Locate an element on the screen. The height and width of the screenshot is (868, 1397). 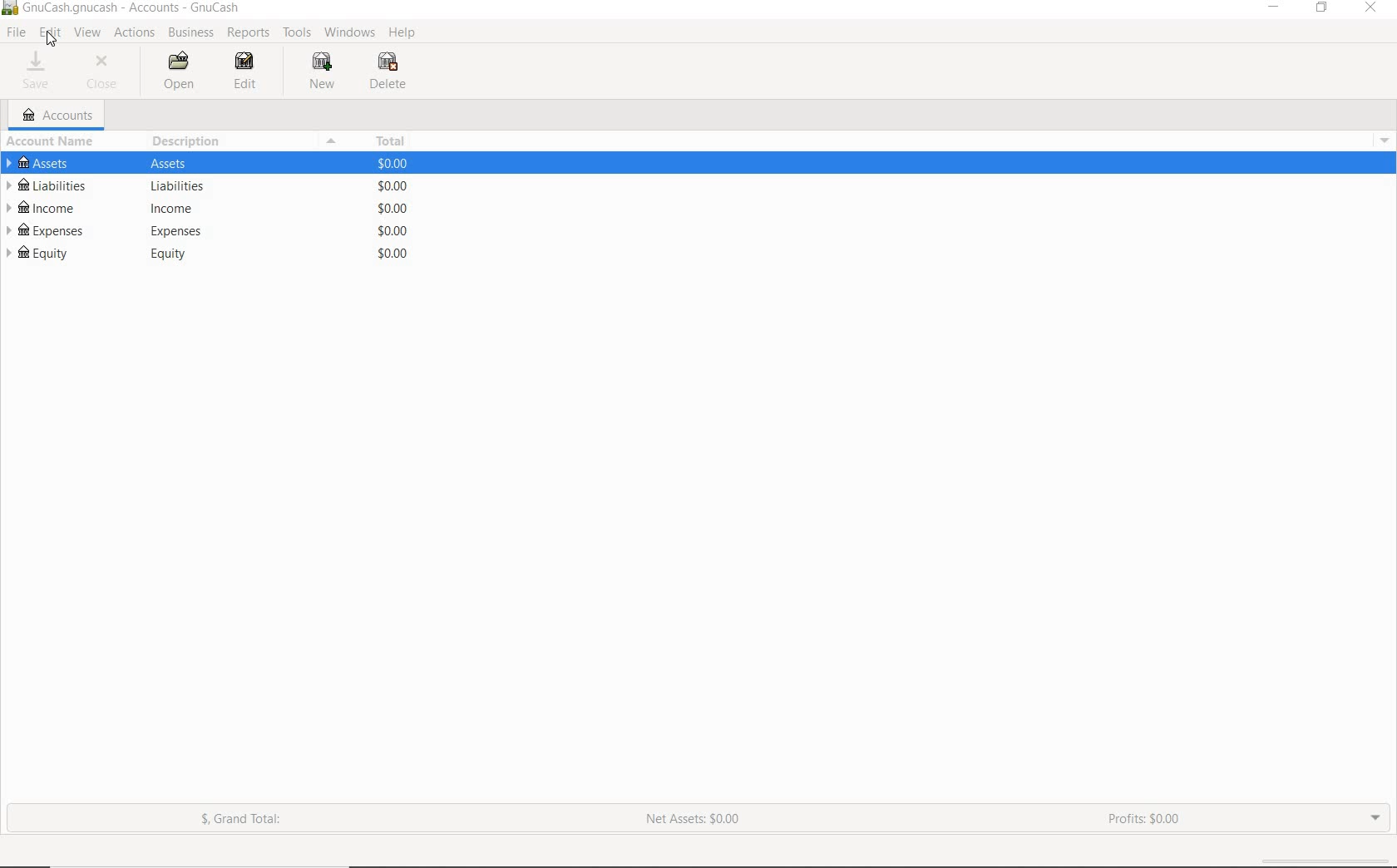
SYSTEM NAME is located at coordinates (125, 8).